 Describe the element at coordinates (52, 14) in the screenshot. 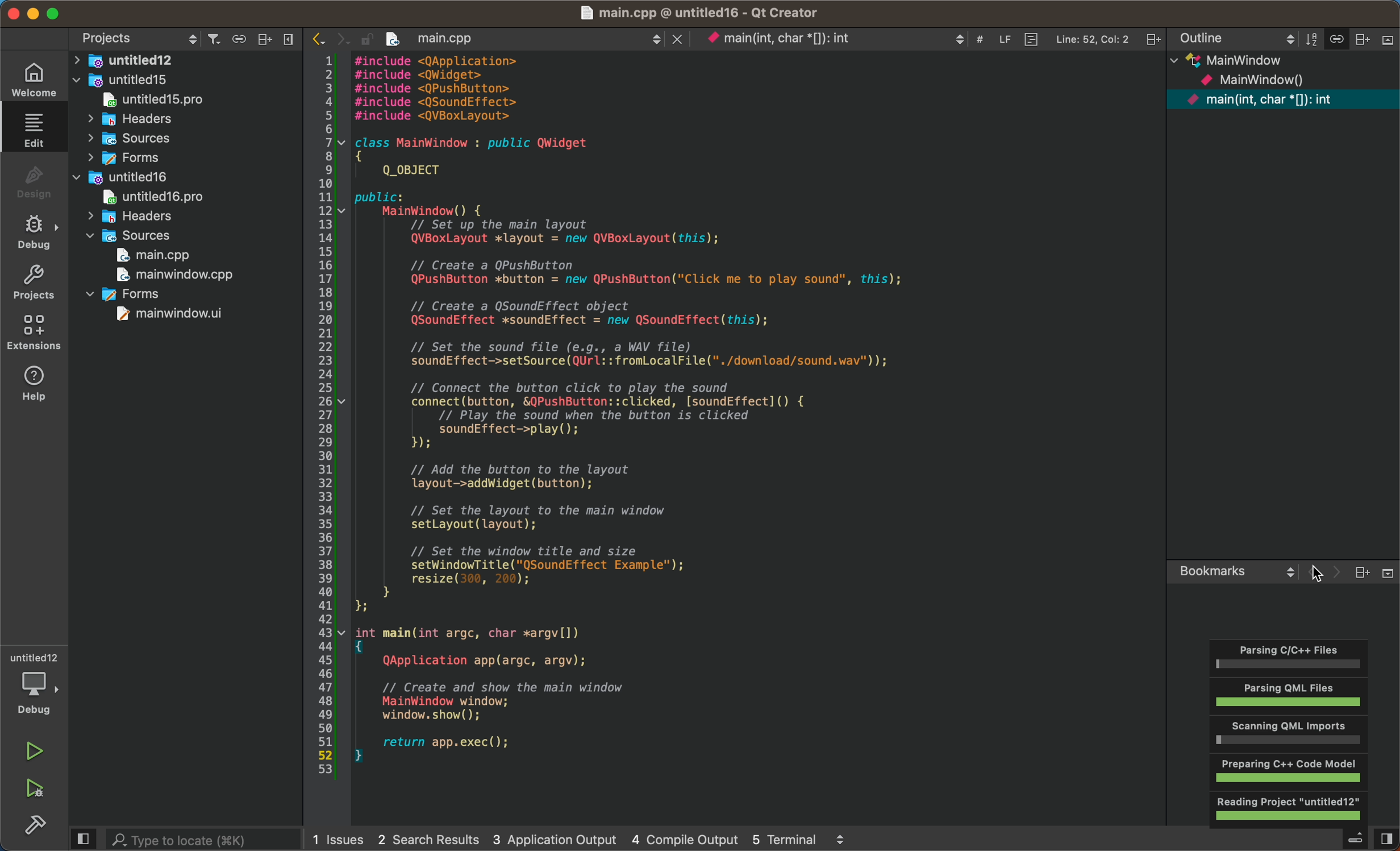

I see `window control` at that location.